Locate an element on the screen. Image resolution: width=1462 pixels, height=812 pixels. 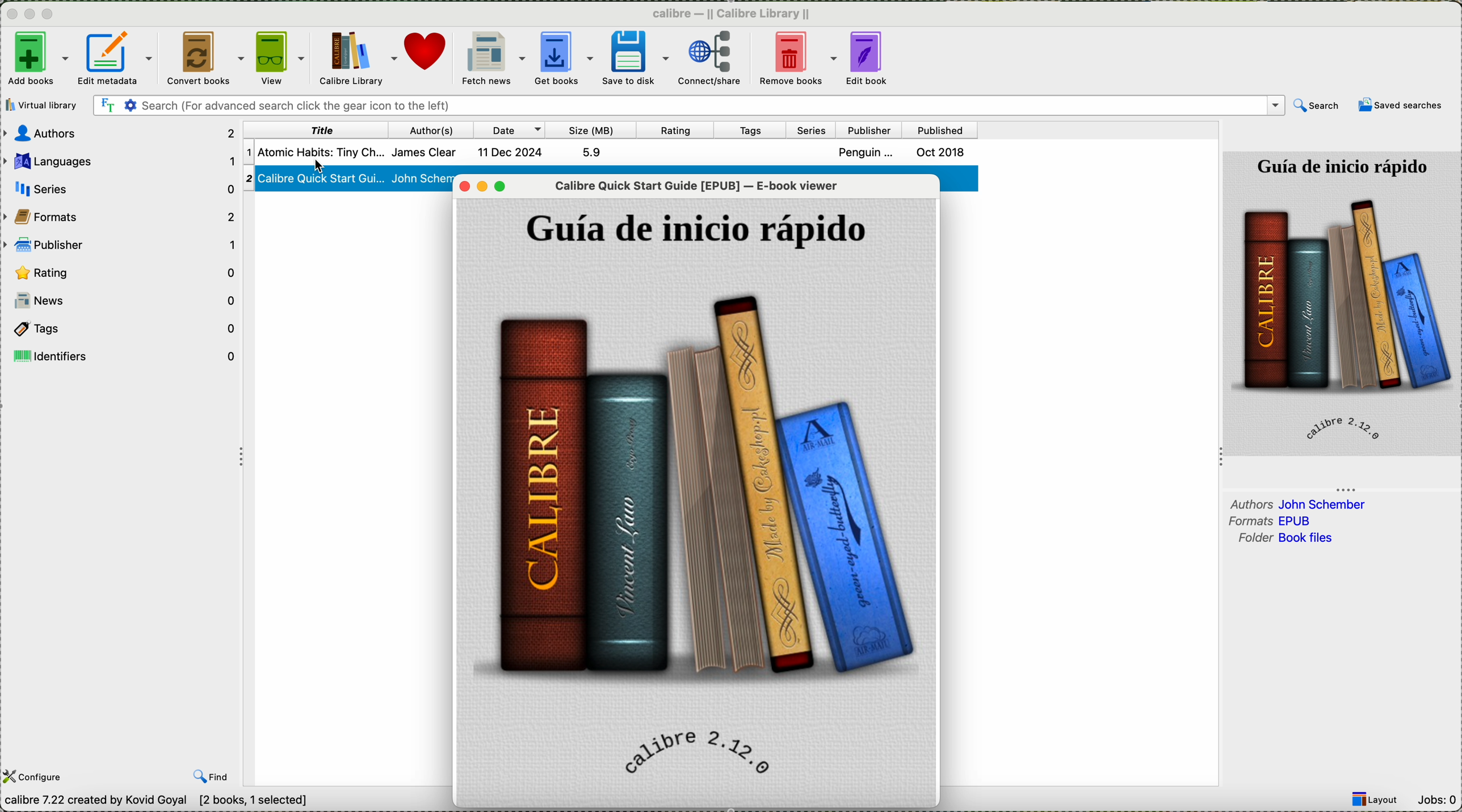
Calibre 7.22 created by Kavid Goyal [2 books, 1 selected] is located at coordinates (162, 802).